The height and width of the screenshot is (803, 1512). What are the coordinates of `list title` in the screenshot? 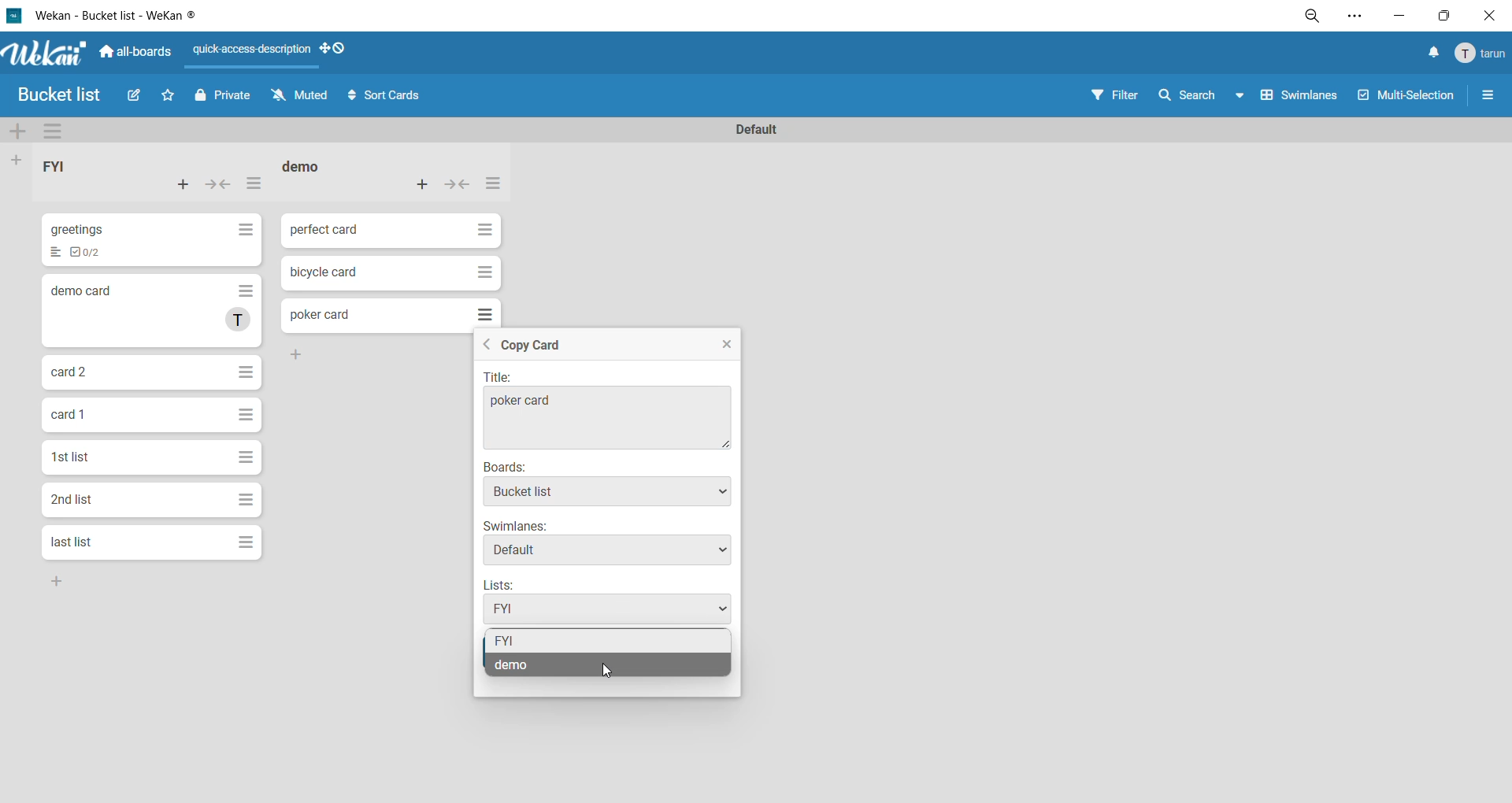 It's located at (66, 169).